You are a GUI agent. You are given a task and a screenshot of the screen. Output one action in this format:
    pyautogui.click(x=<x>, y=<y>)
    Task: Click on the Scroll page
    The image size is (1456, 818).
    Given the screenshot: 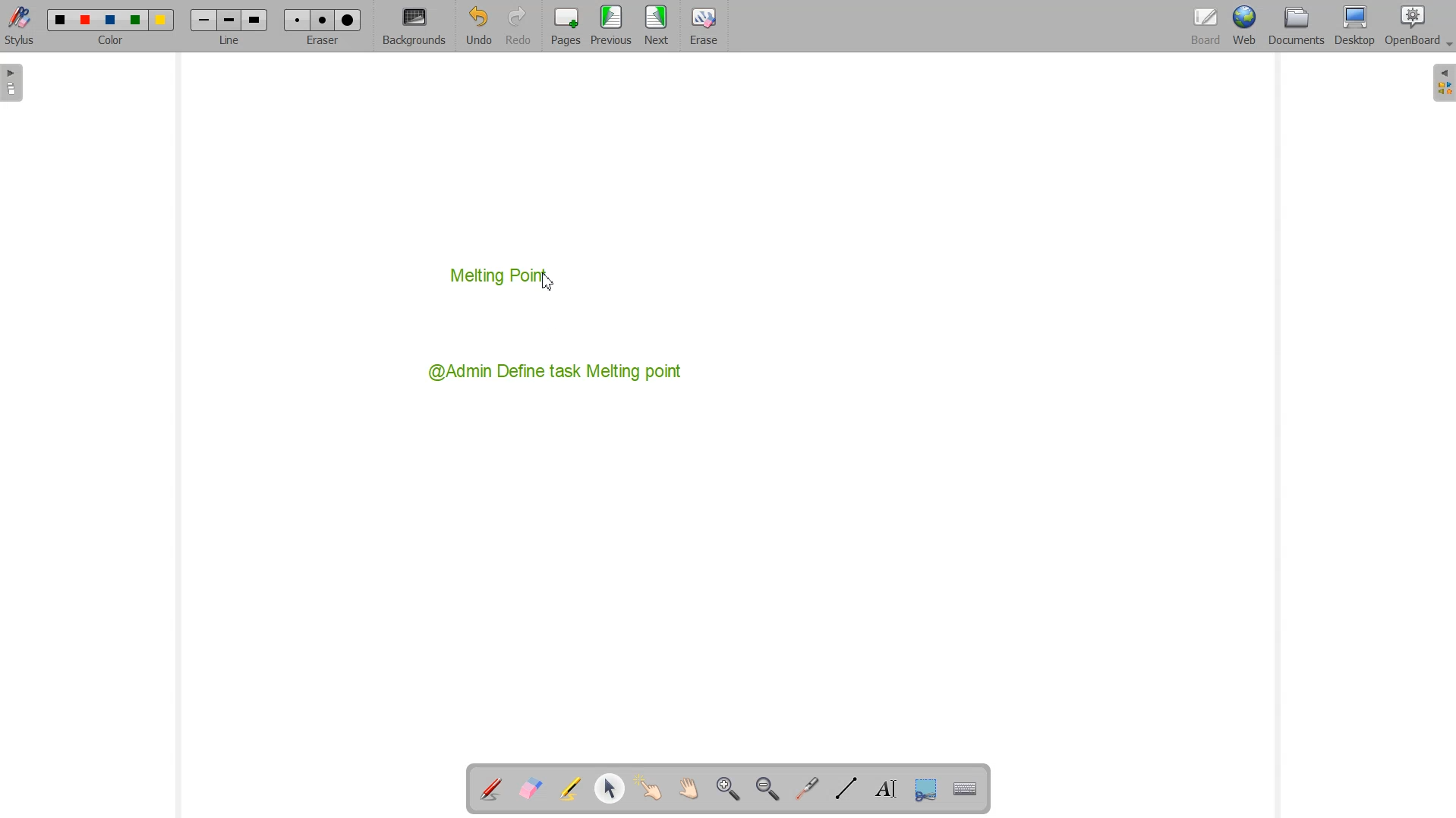 What is the action you would take?
    pyautogui.click(x=686, y=789)
    